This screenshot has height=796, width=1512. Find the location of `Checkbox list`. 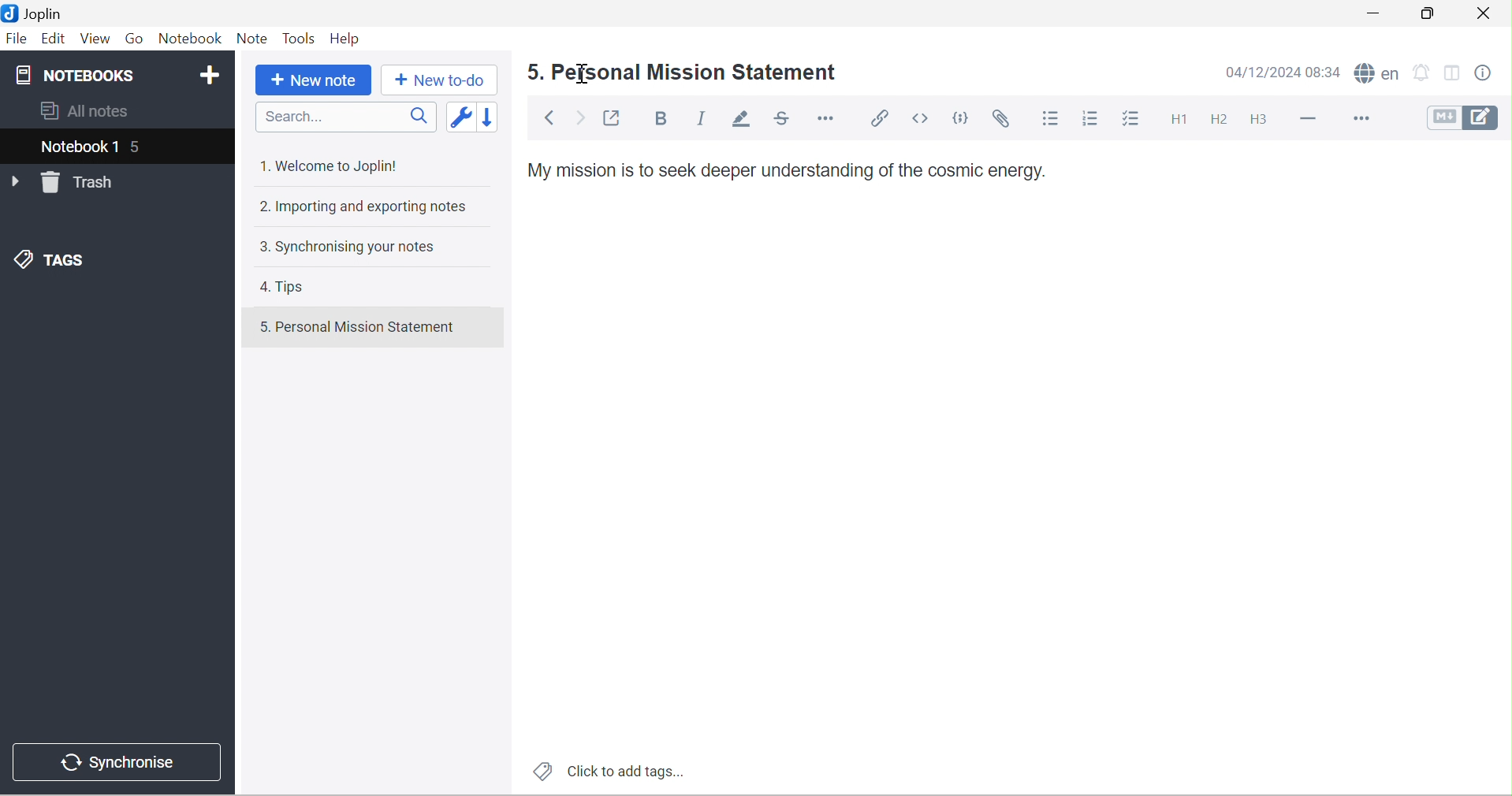

Checkbox list is located at coordinates (1134, 119).